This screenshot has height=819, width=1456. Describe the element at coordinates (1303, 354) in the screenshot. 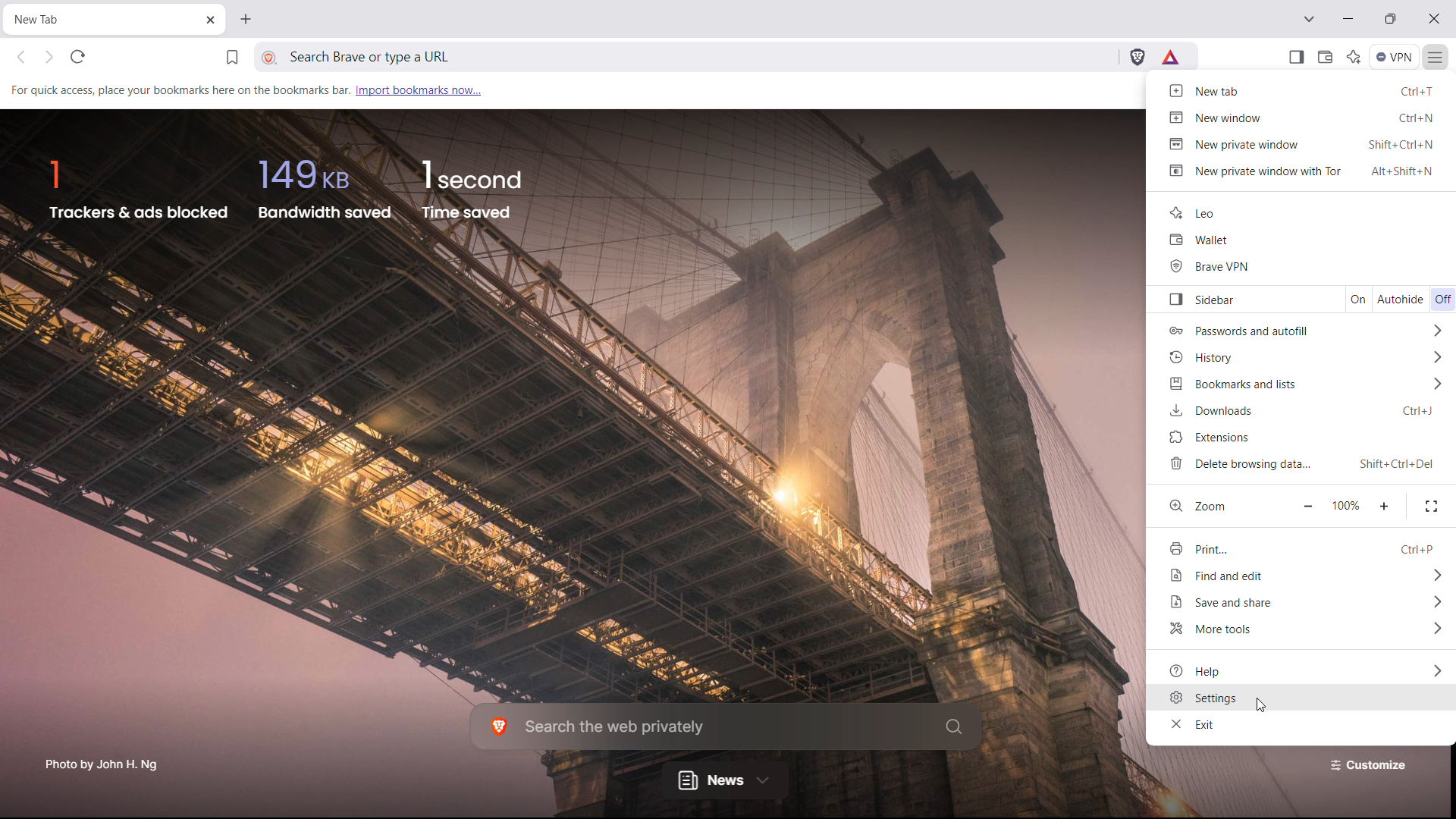

I see `history` at that location.